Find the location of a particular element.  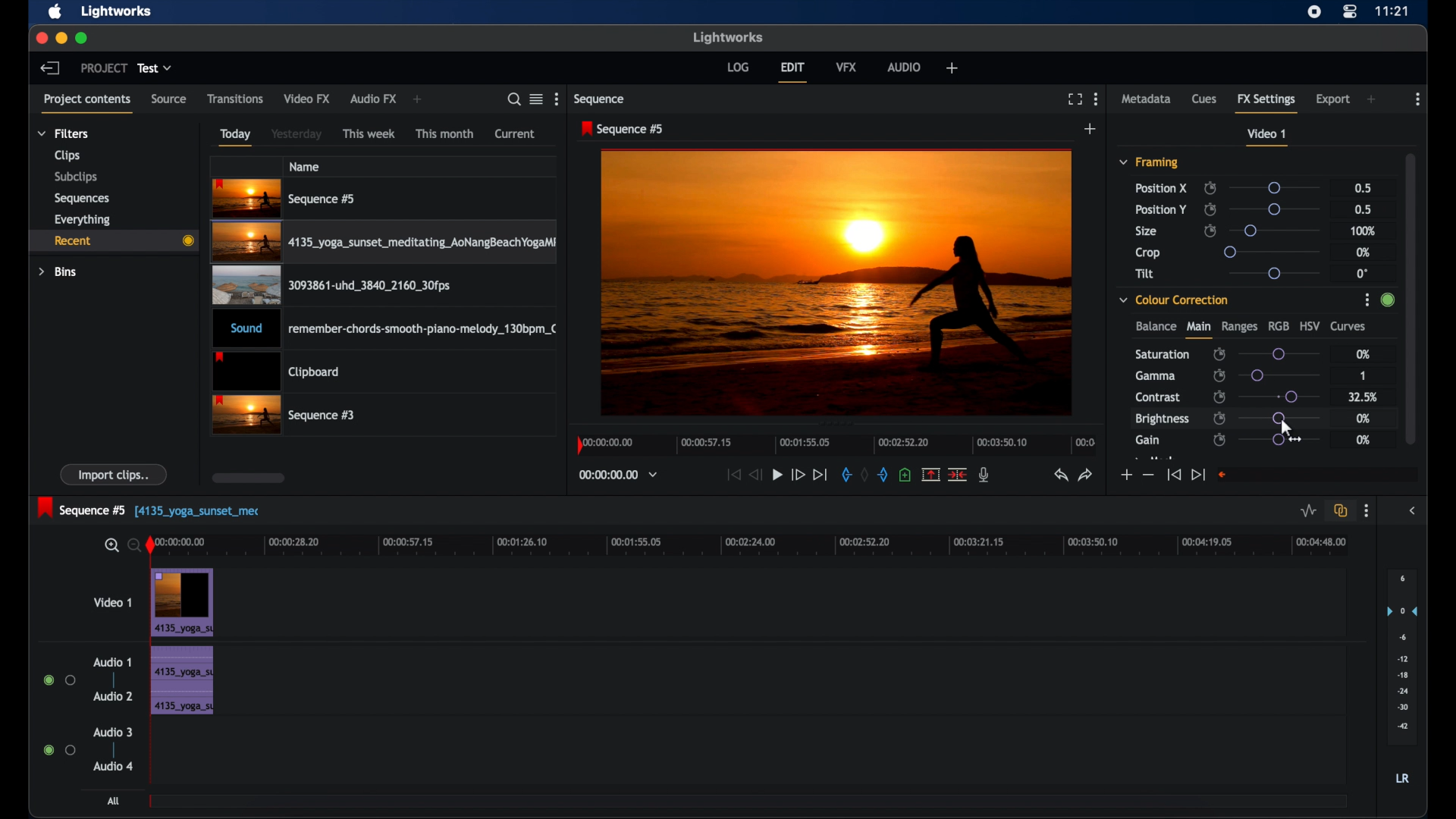

bins is located at coordinates (58, 272).